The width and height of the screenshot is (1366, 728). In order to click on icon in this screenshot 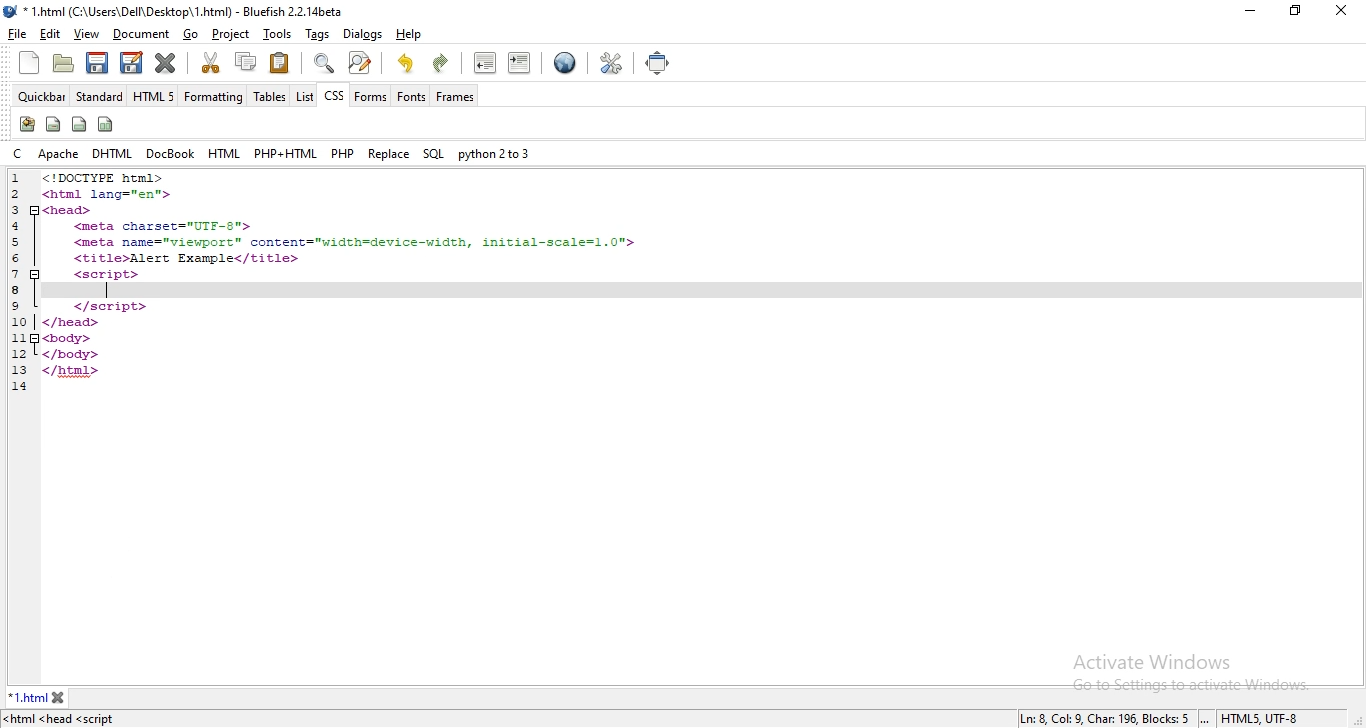, I will do `click(53, 125)`.